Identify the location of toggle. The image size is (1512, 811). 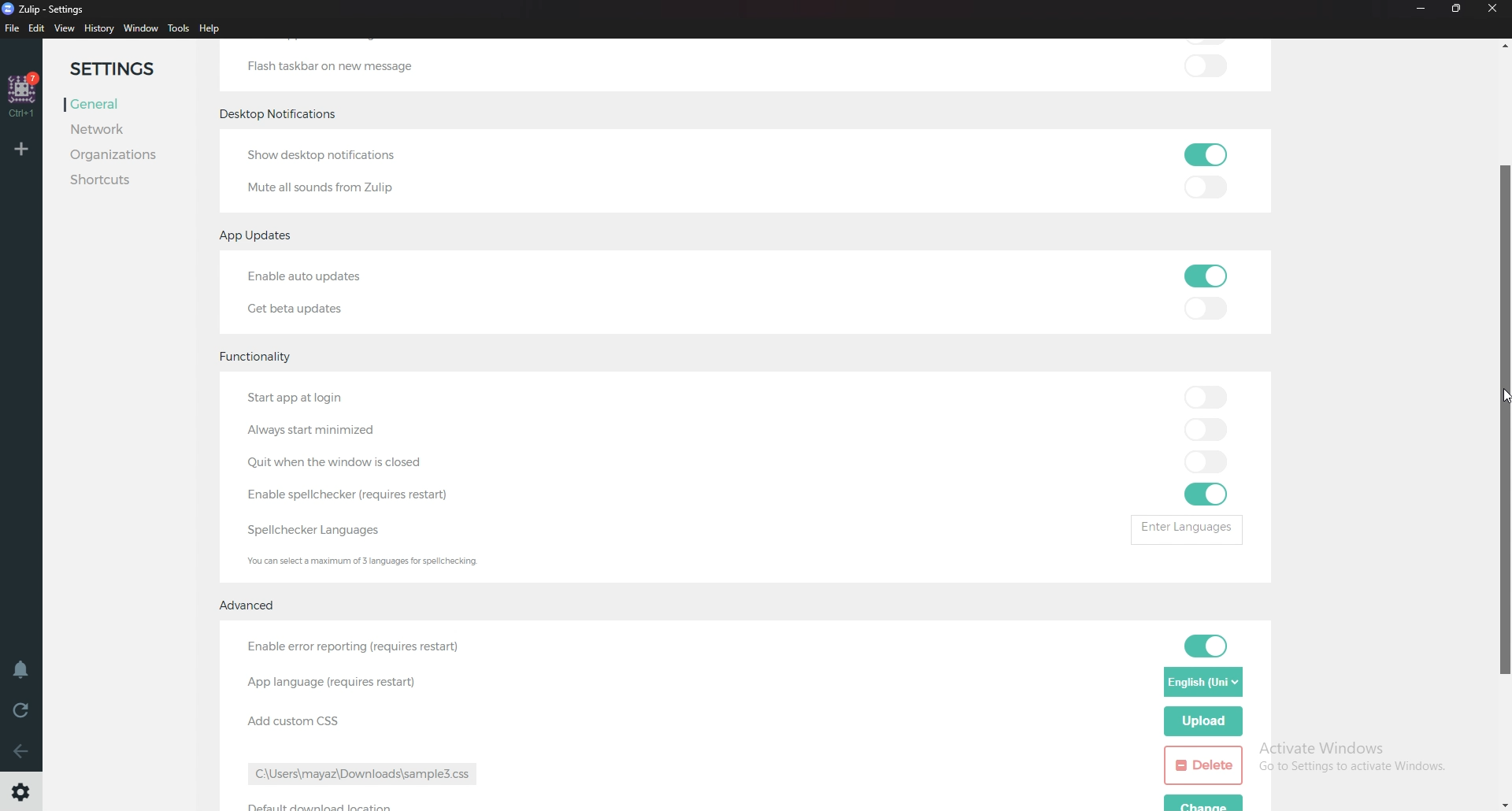
(1206, 430).